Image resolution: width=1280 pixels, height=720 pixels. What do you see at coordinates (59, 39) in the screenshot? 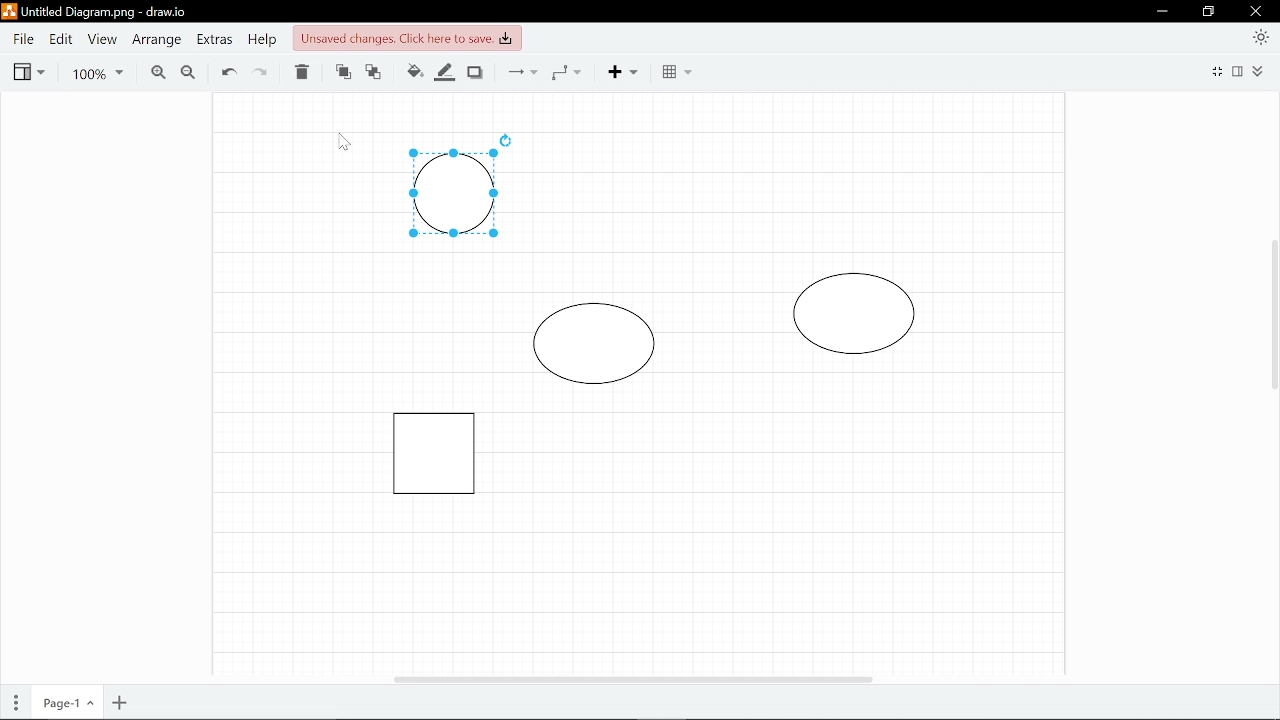
I see `Edit` at bounding box center [59, 39].